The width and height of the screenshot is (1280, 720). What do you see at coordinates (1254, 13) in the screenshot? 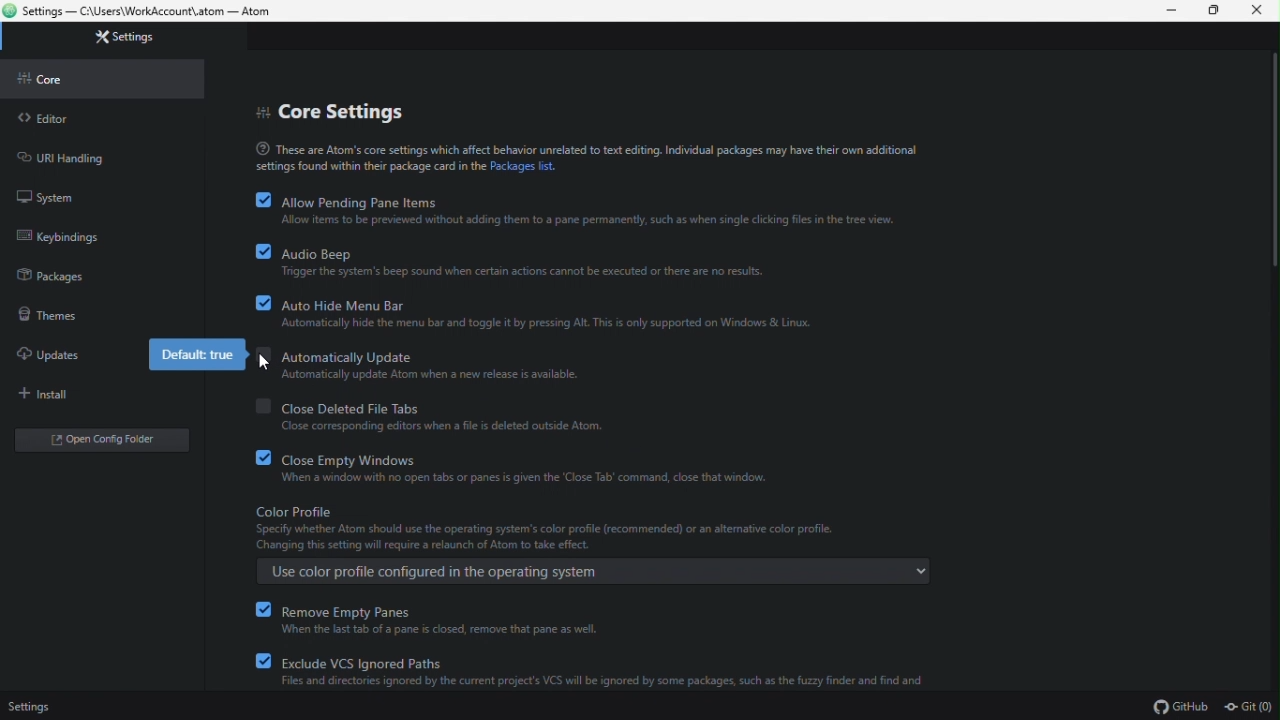
I see `Close` at bounding box center [1254, 13].